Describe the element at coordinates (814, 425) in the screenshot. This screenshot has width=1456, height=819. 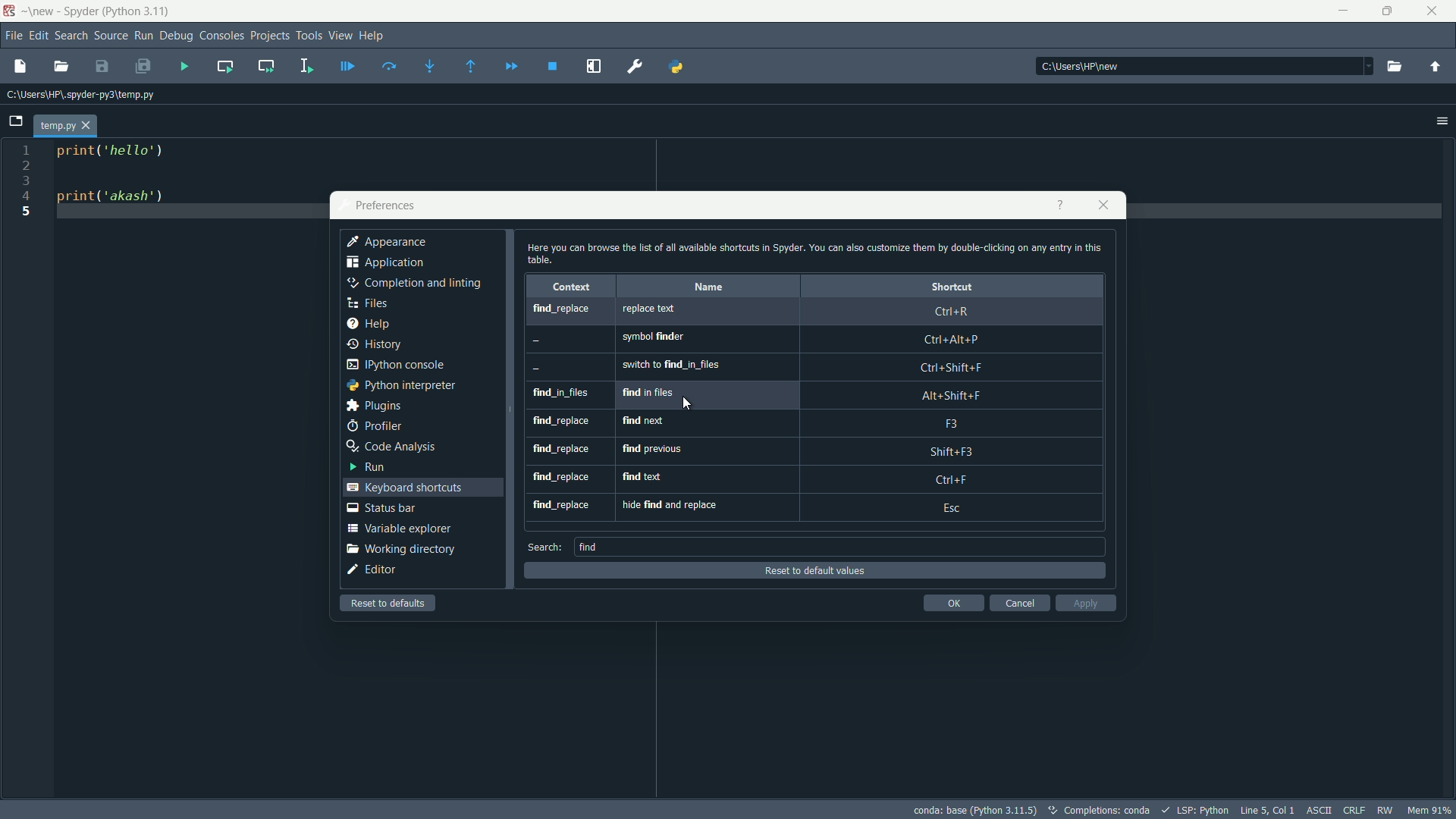
I see `find_replace, find next, f3` at that location.